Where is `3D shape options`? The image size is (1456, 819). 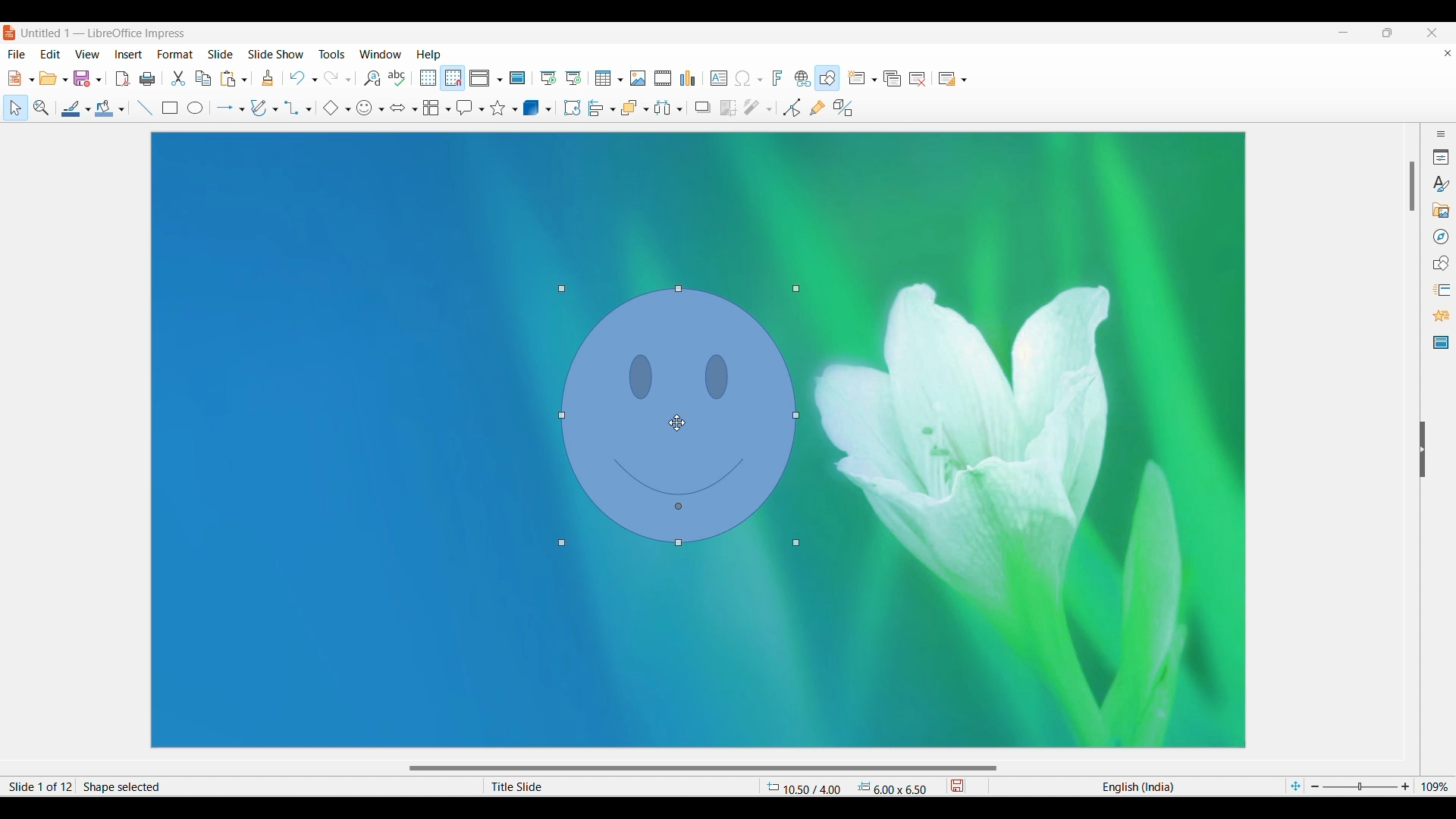
3D shape options is located at coordinates (548, 109).